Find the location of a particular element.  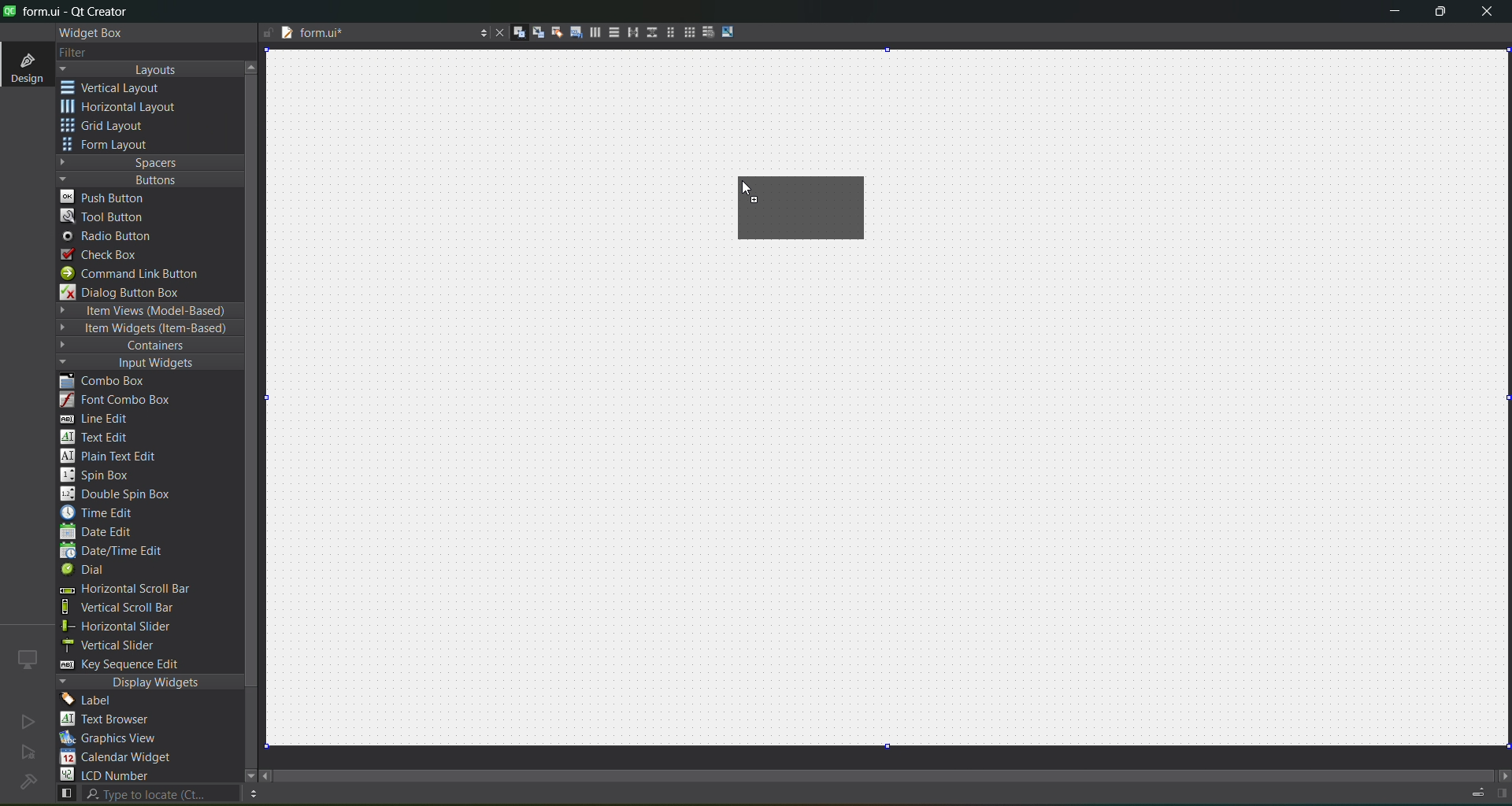

date/time edit is located at coordinates (126, 552).